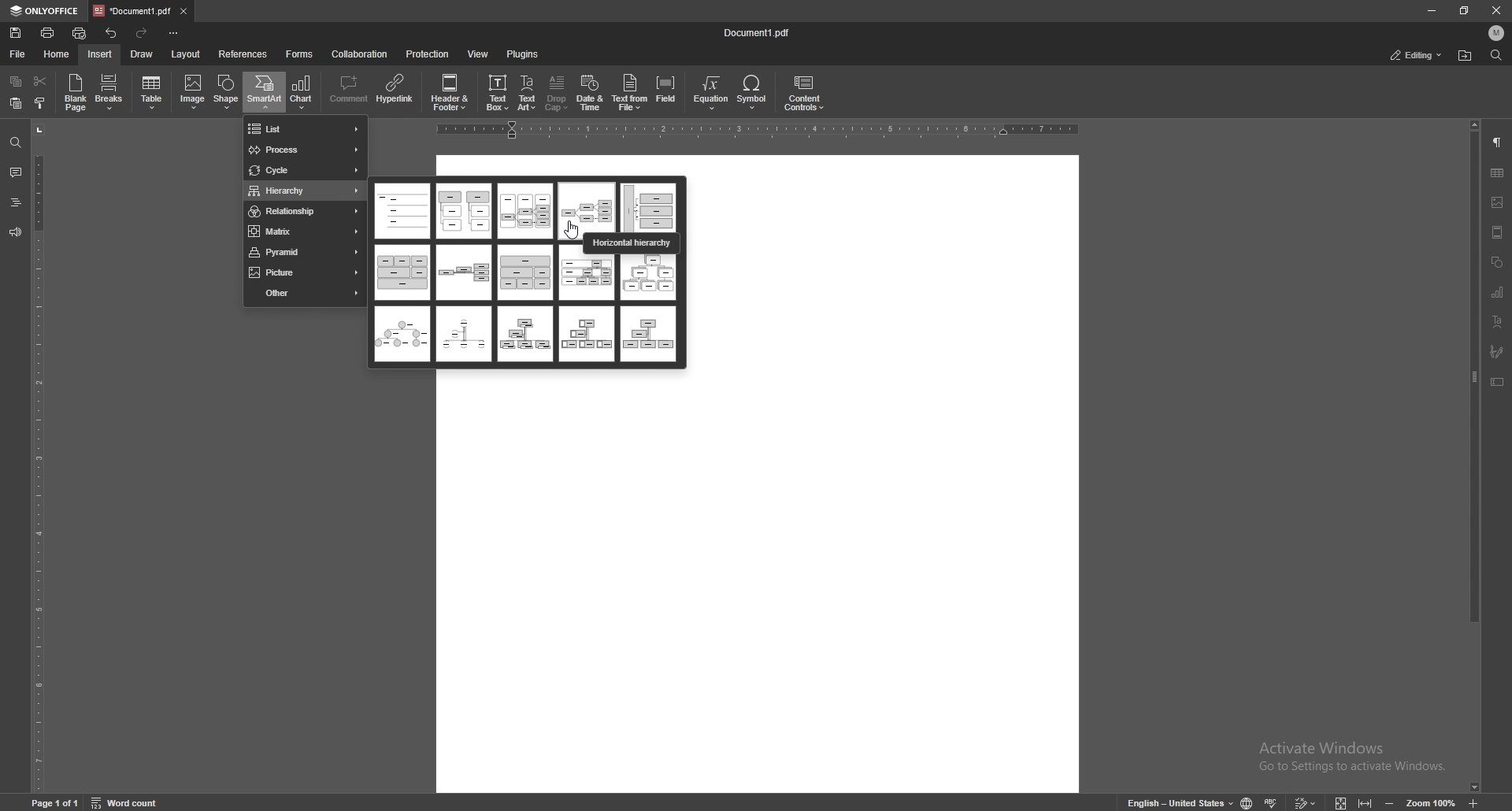 Image resolution: width=1512 pixels, height=811 pixels. I want to click on breaks, so click(110, 92).